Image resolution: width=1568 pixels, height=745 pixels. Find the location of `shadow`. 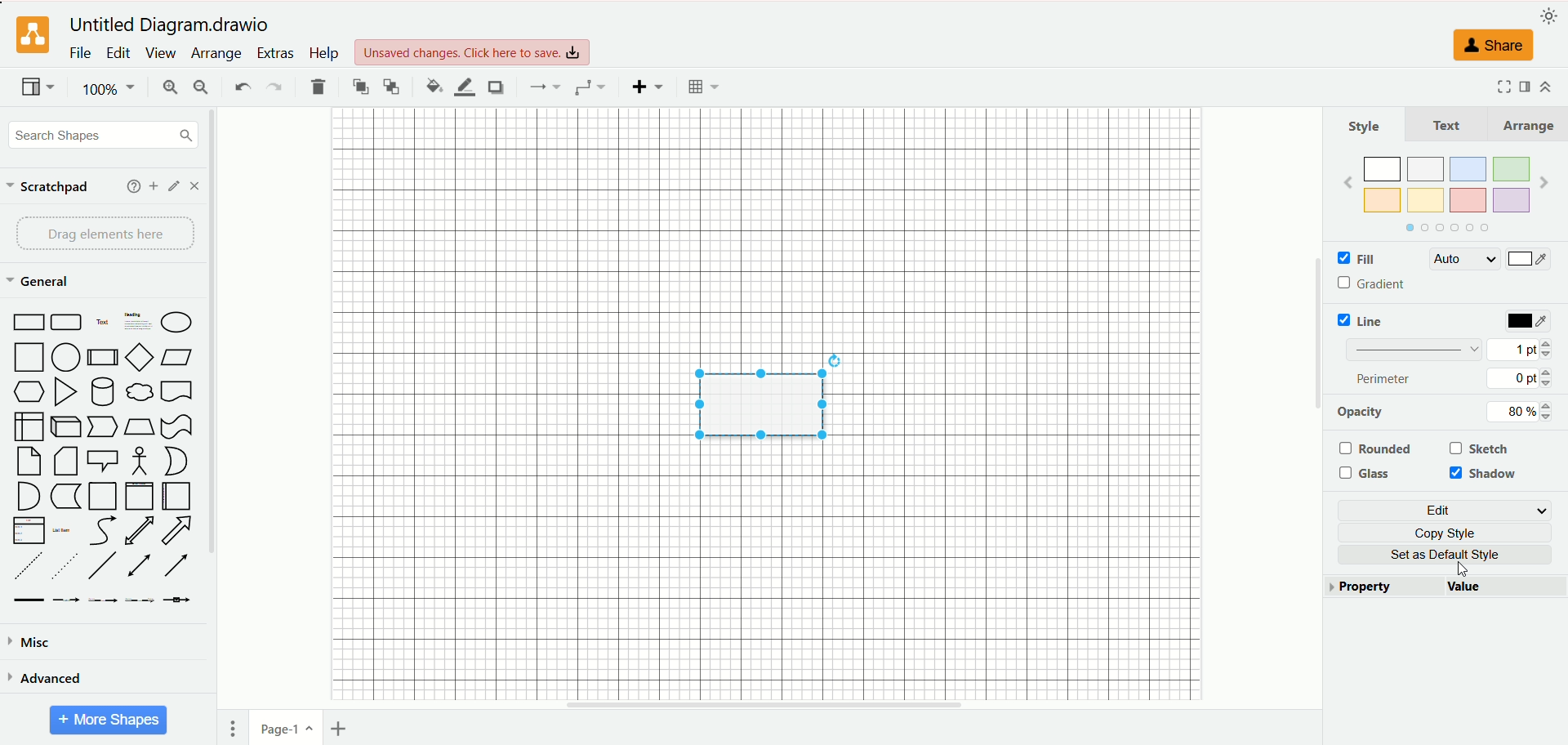

shadow is located at coordinates (495, 87).